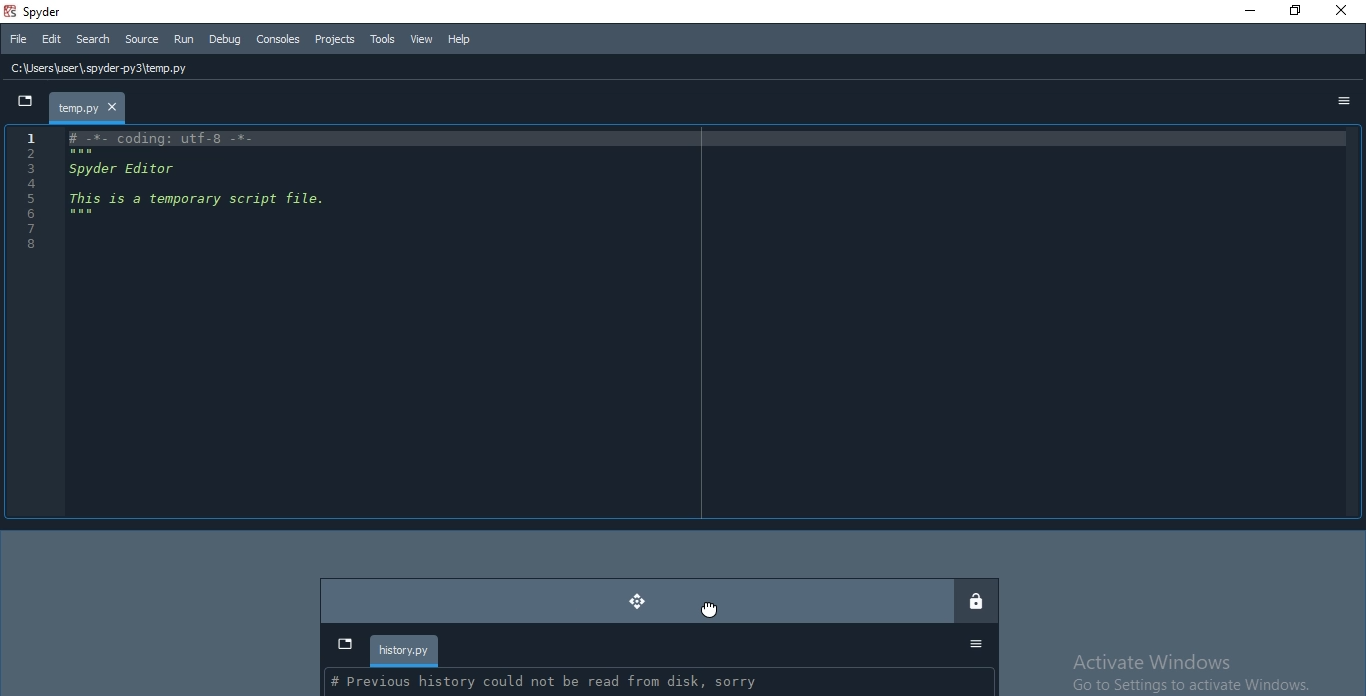 The width and height of the screenshot is (1366, 696). I want to click on Close, so click(1345, 12).